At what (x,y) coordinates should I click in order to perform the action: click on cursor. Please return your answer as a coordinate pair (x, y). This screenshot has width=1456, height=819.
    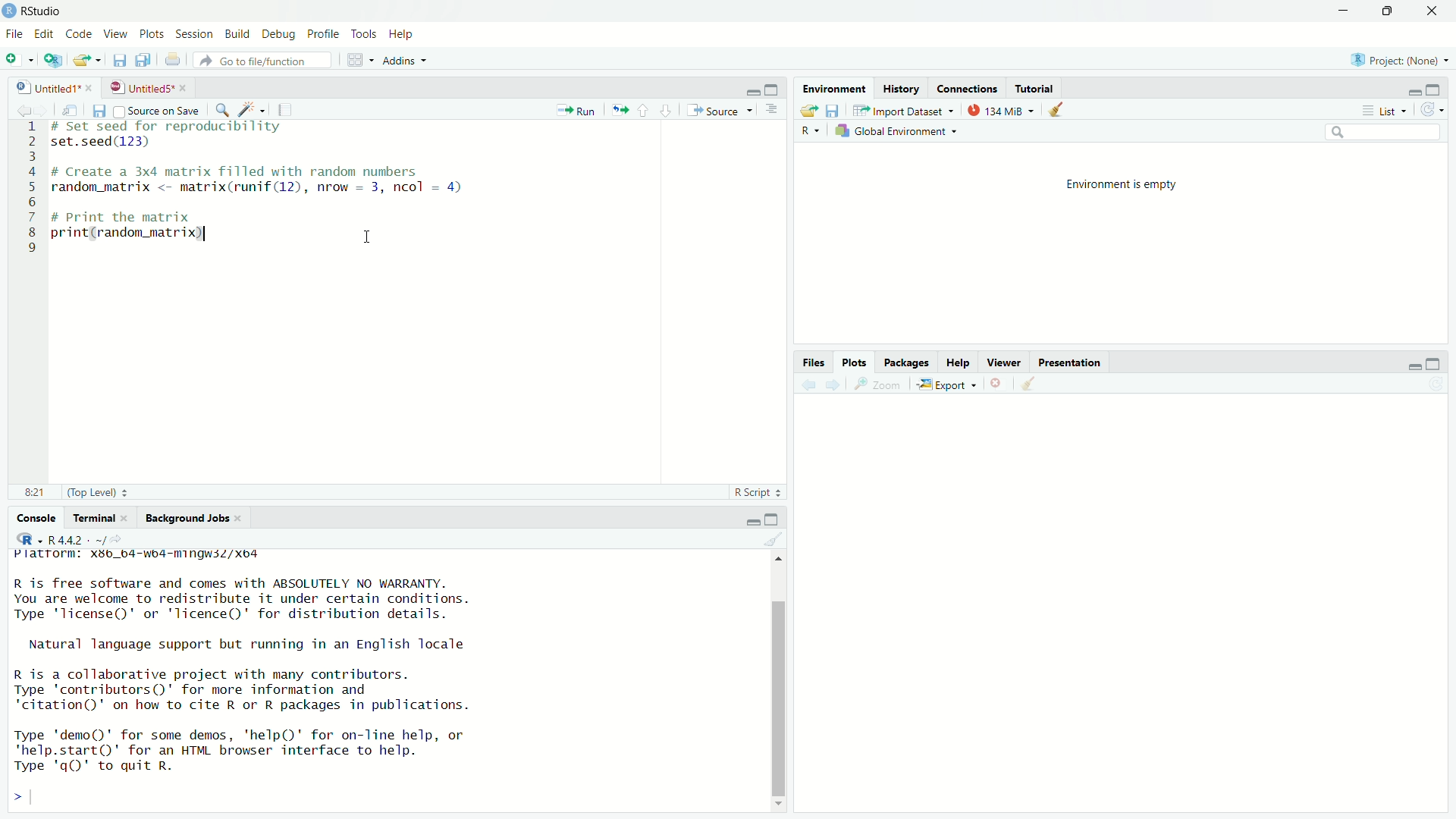
    Looking at the image, I should click on (369, 240).